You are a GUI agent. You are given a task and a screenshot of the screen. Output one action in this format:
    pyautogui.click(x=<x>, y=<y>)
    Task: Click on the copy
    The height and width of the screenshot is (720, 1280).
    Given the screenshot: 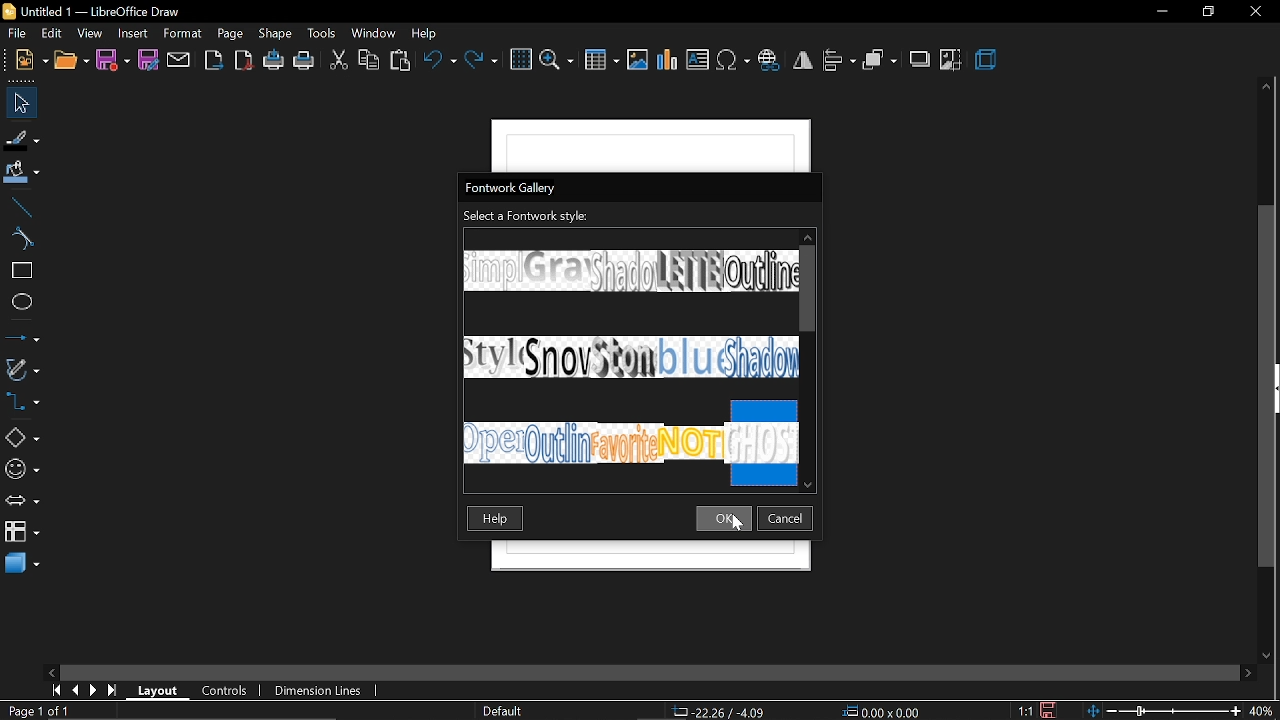 What is the action you would take?
    pyautogui.click(x=370, y=60)
    